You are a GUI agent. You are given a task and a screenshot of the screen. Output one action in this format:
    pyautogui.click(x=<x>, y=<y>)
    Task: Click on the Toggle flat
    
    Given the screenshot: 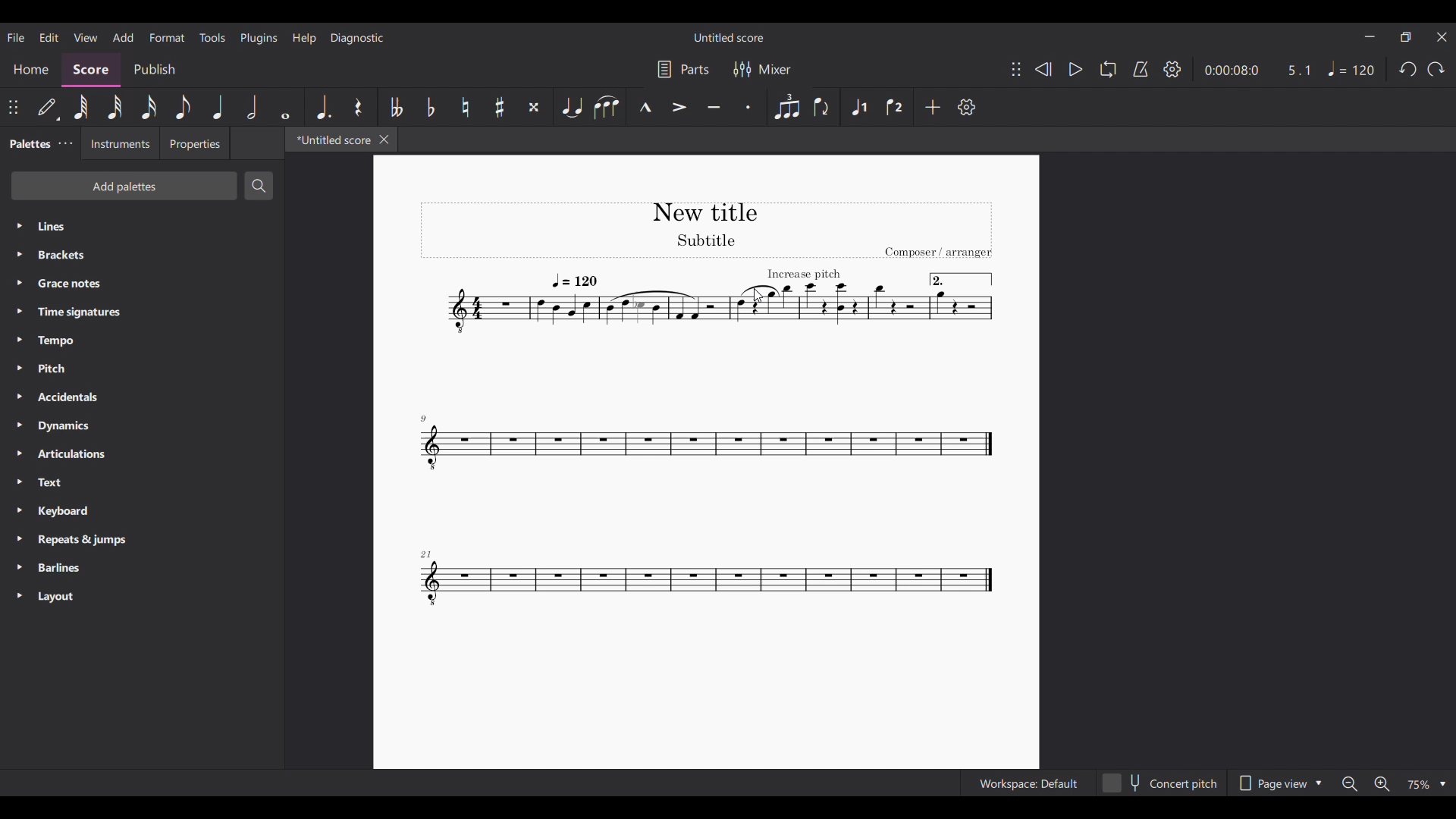 What is the action you would take?
    pyautogui.click(x=431, y=107)
    